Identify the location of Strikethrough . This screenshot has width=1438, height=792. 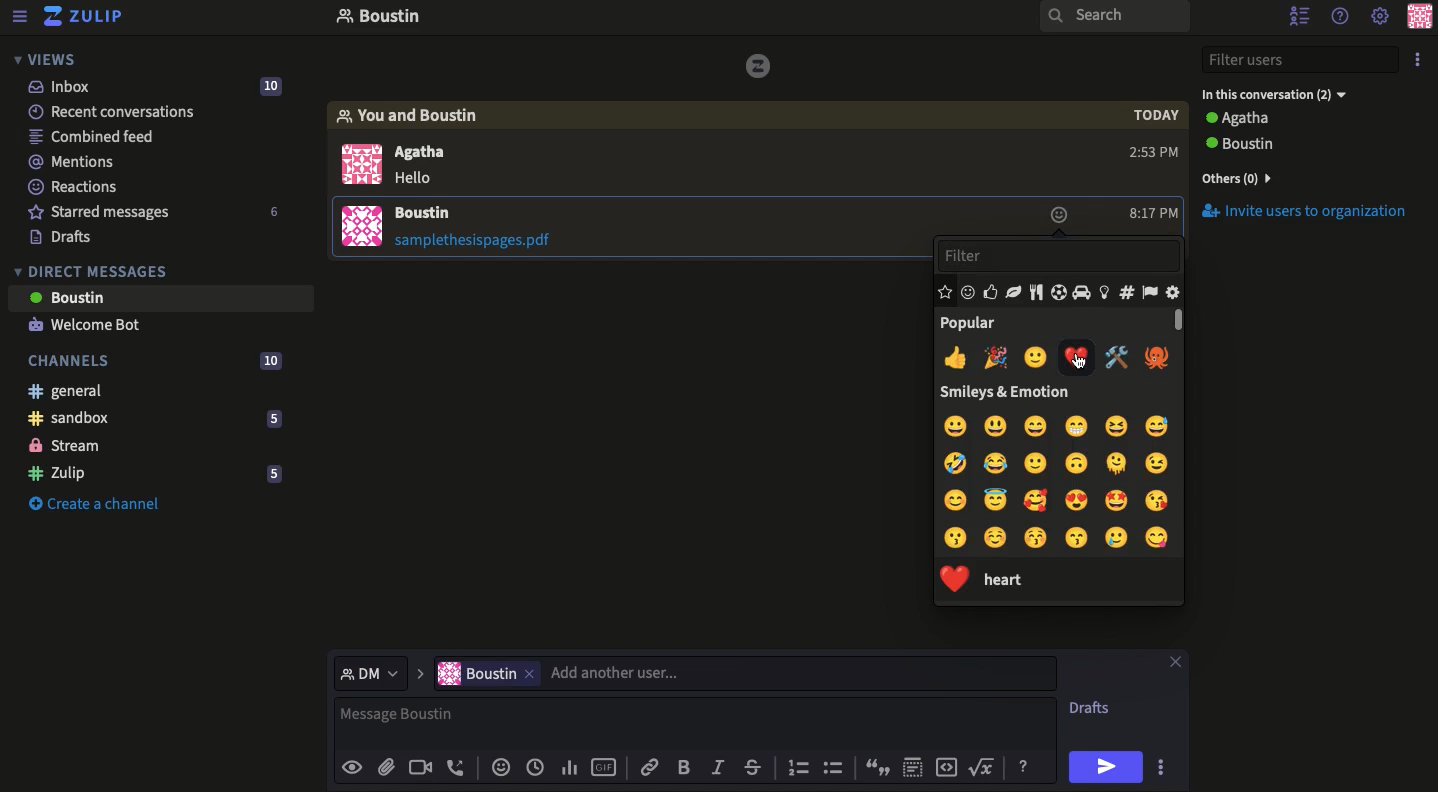
(754, 767).